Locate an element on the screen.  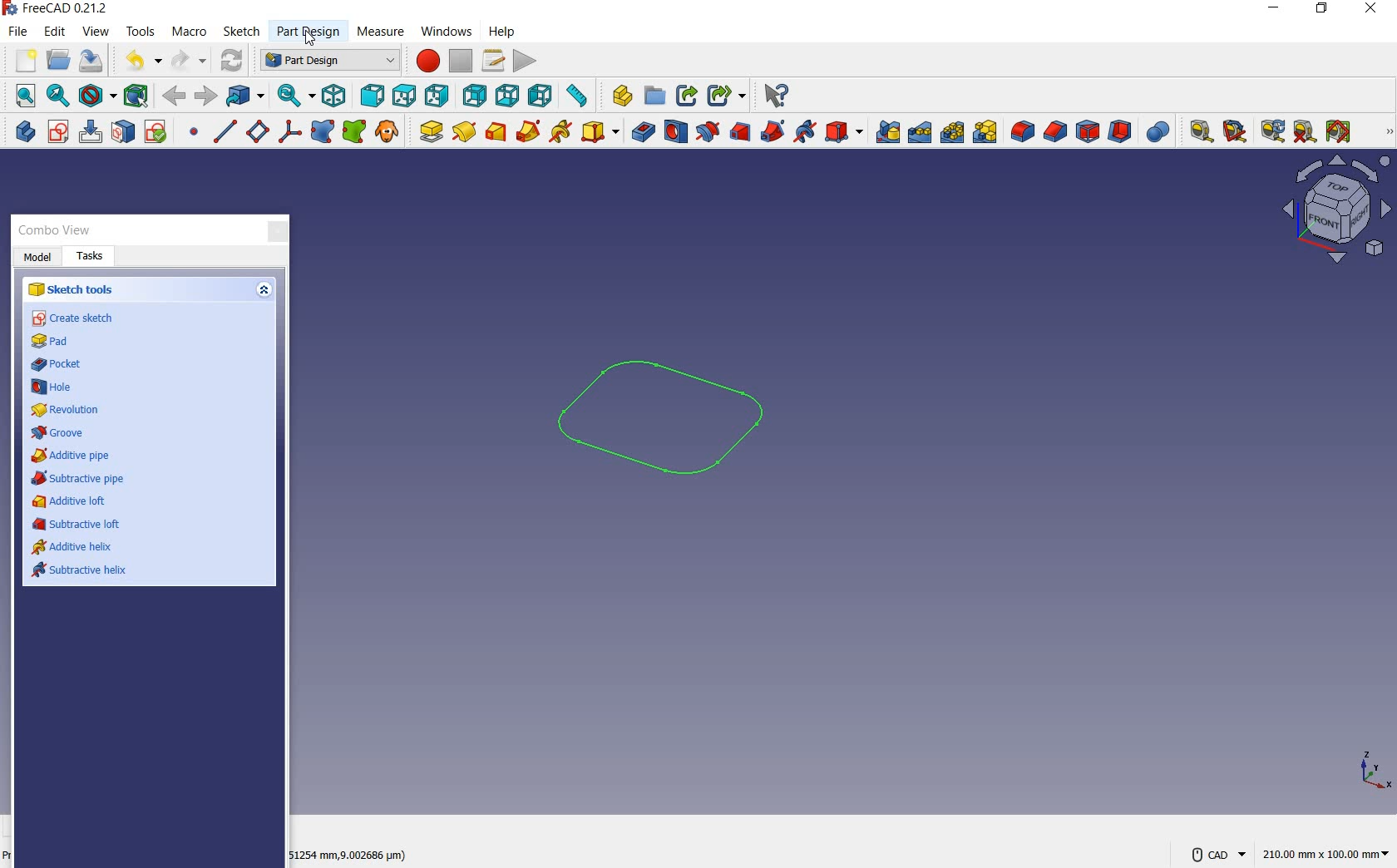
create a datum point is located at coordinates (195, 133).